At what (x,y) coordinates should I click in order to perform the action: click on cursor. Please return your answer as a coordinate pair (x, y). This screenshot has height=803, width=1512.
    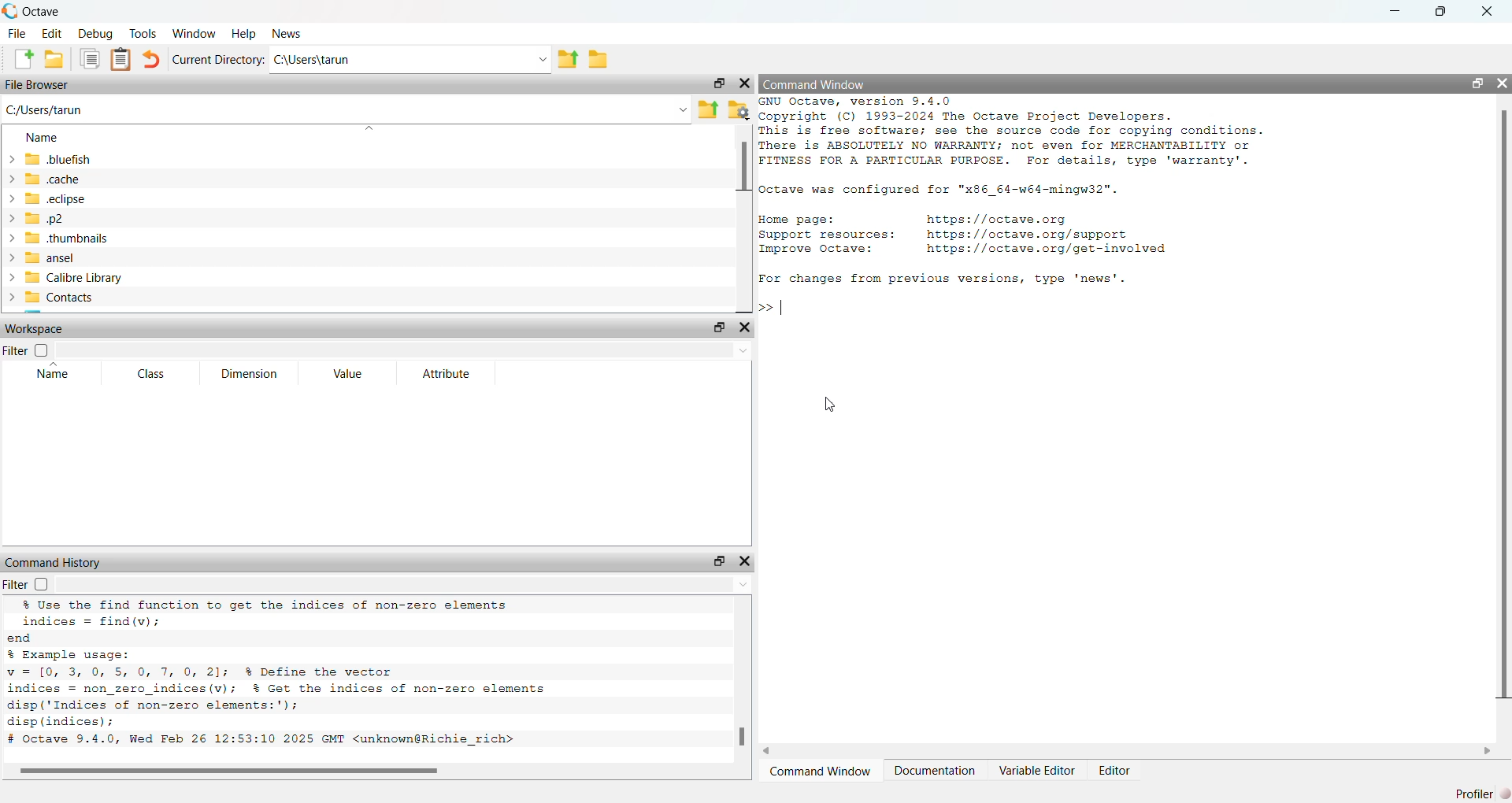
    Looking at the image, I should click on (833, 402).